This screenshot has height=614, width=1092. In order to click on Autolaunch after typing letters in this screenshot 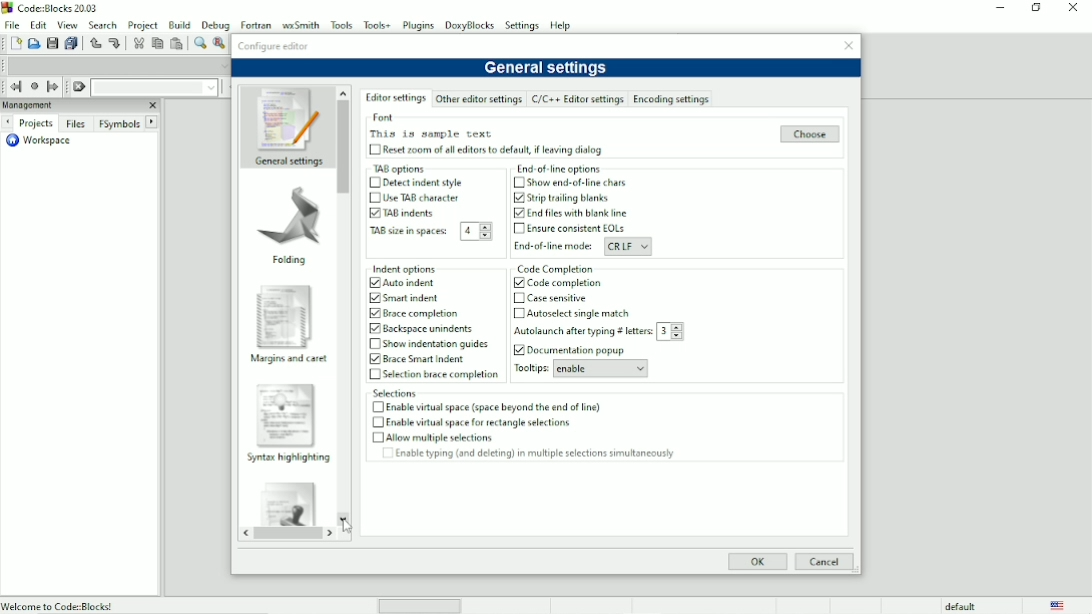, I will do `click(581, 333)`.